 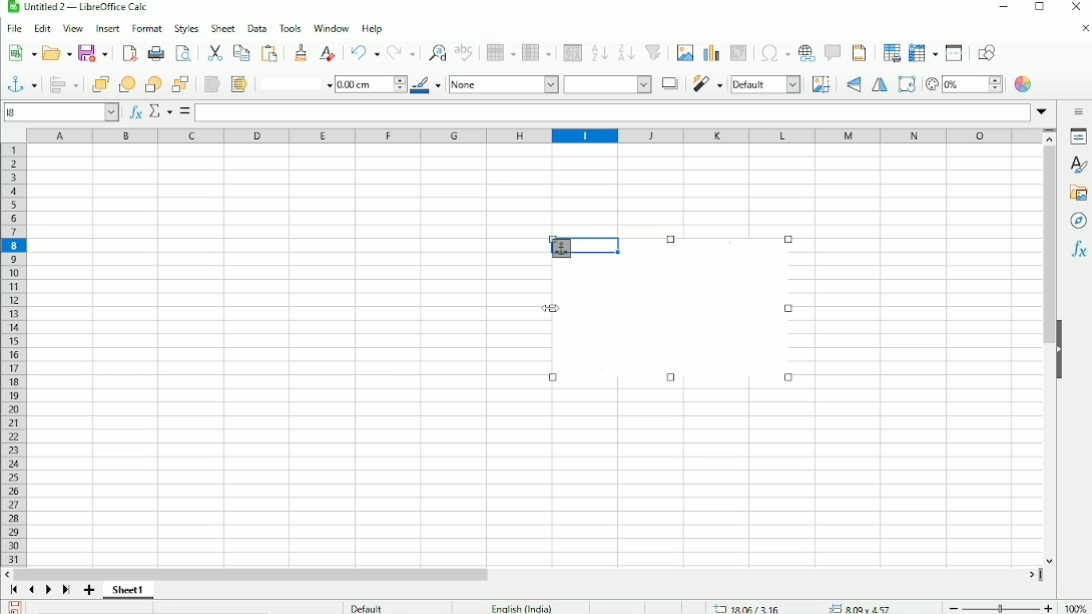 What do you see at coordinates (128, 590) in the screenshot?
I see `Sheet 1` at bounding box center [128, 590].